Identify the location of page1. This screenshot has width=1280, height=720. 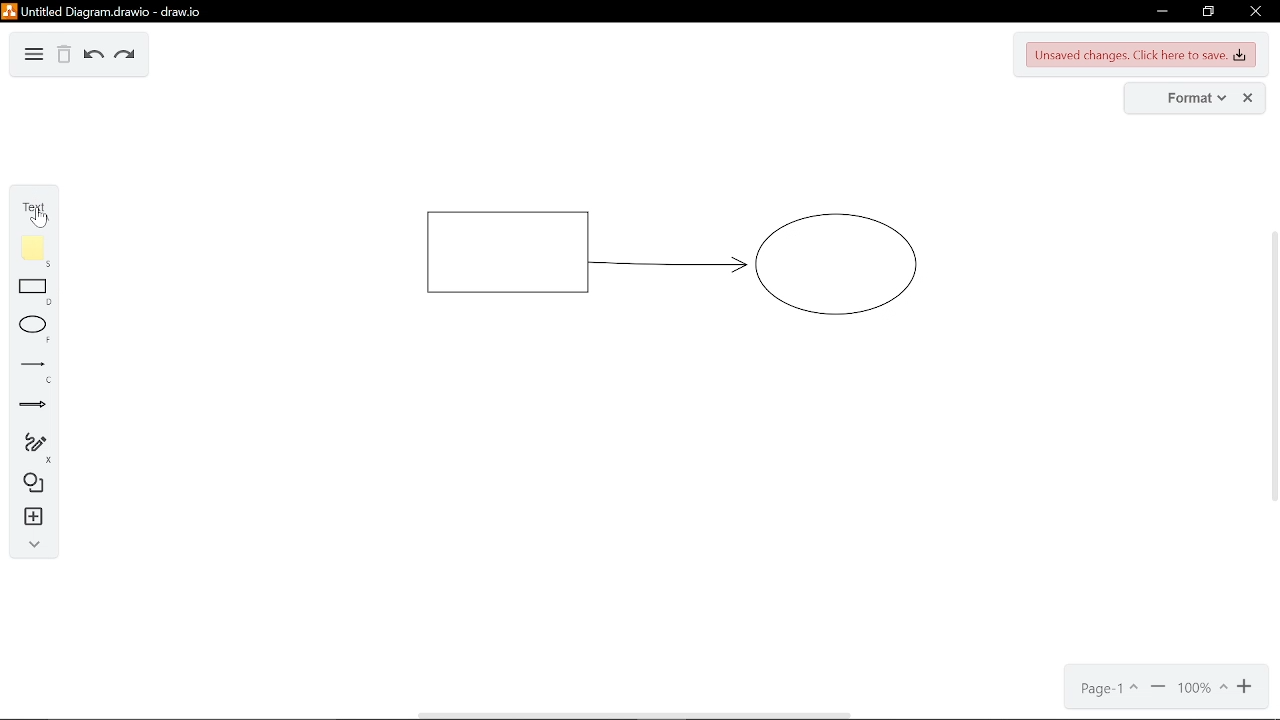
(1105, 688).